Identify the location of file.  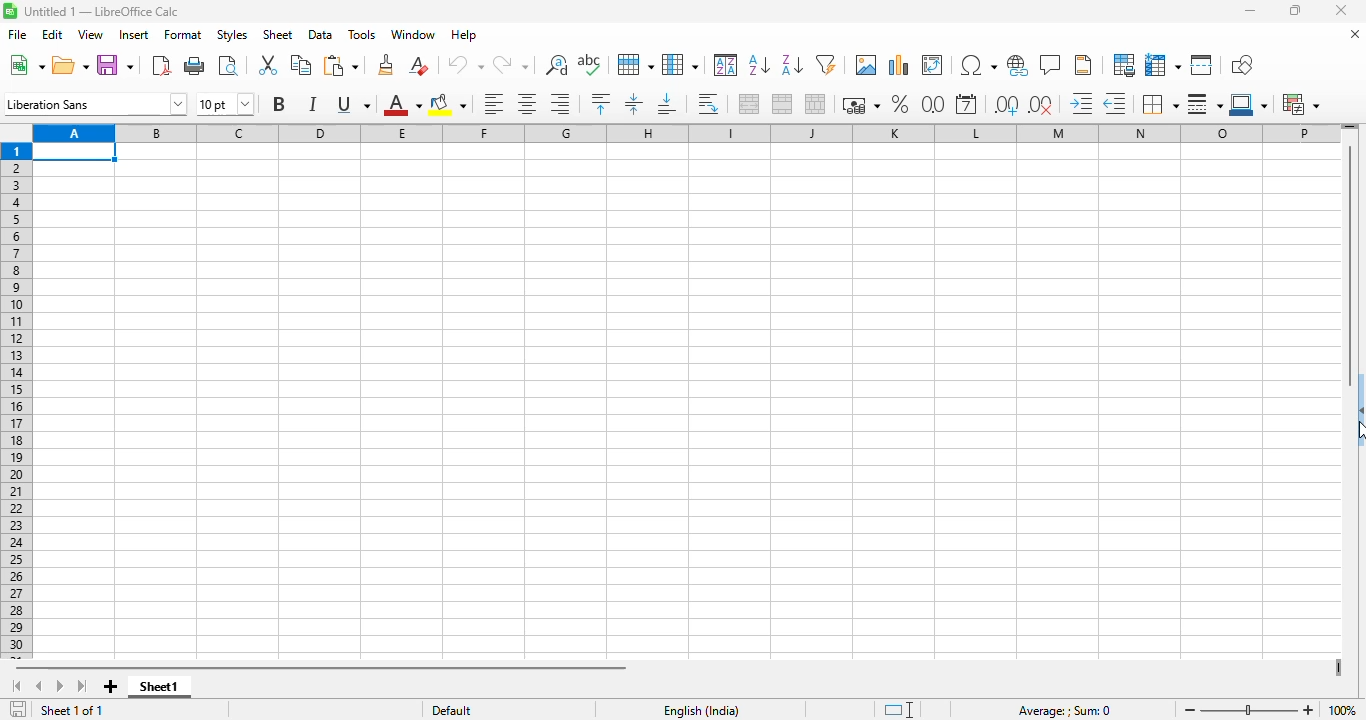
(17, 34).